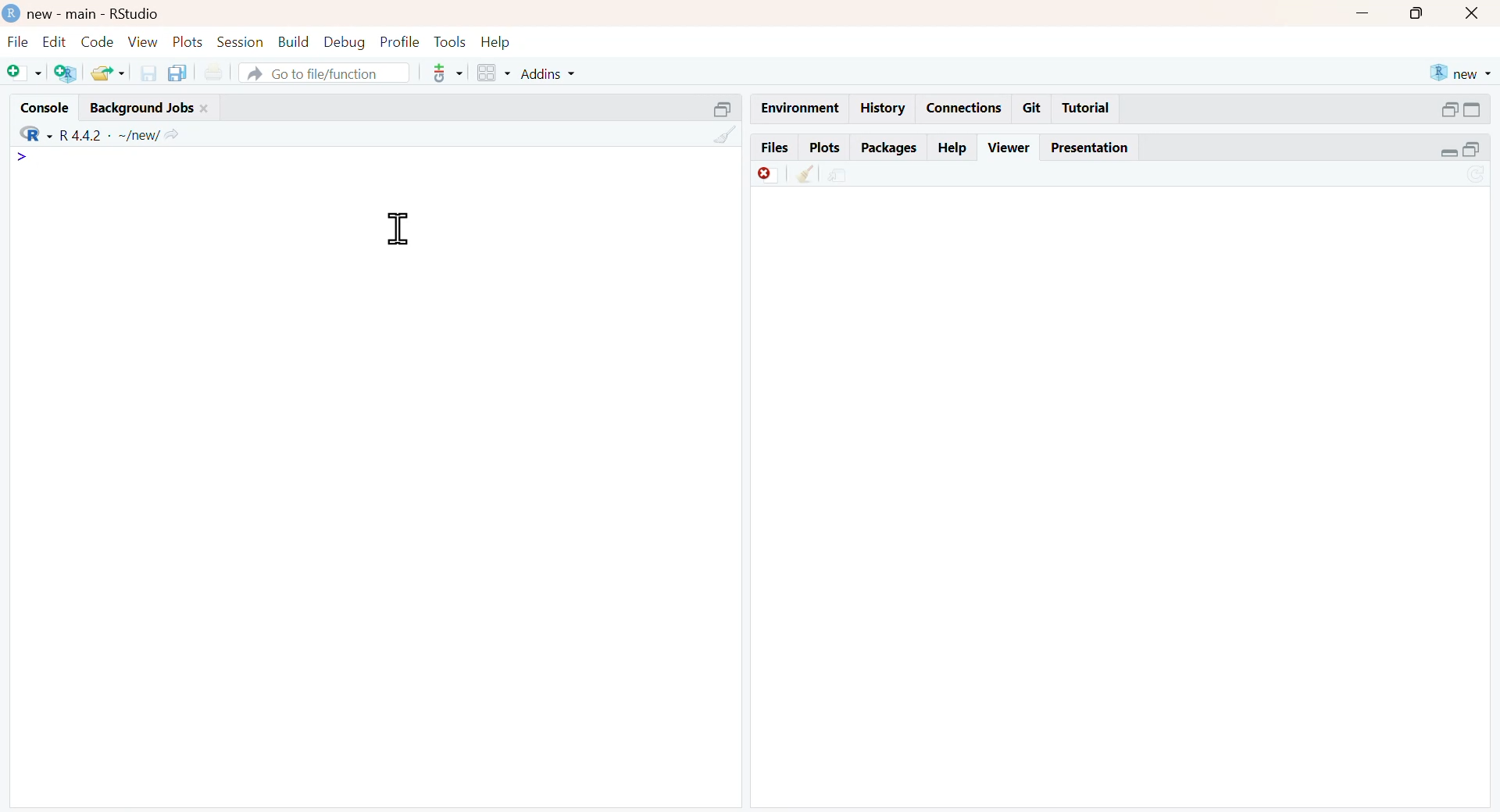 The width and height of the screenshot is (1500, 812). What do you see at coordinates (799, 176) in the screenshot?
I see `clear all viewer item` at bounding box center [799, 176].